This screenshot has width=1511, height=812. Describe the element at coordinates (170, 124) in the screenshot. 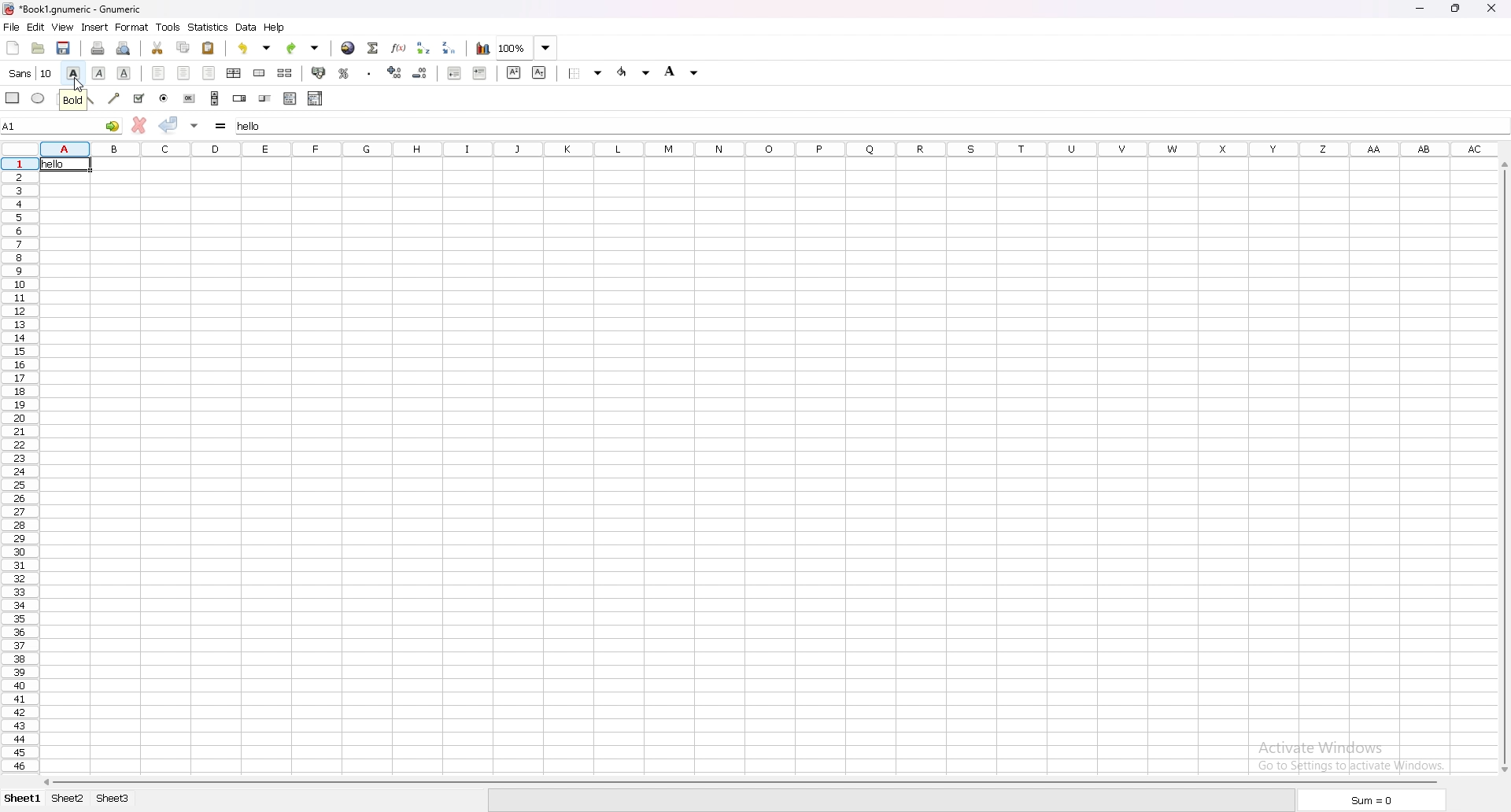

I see `accept change` at that location.